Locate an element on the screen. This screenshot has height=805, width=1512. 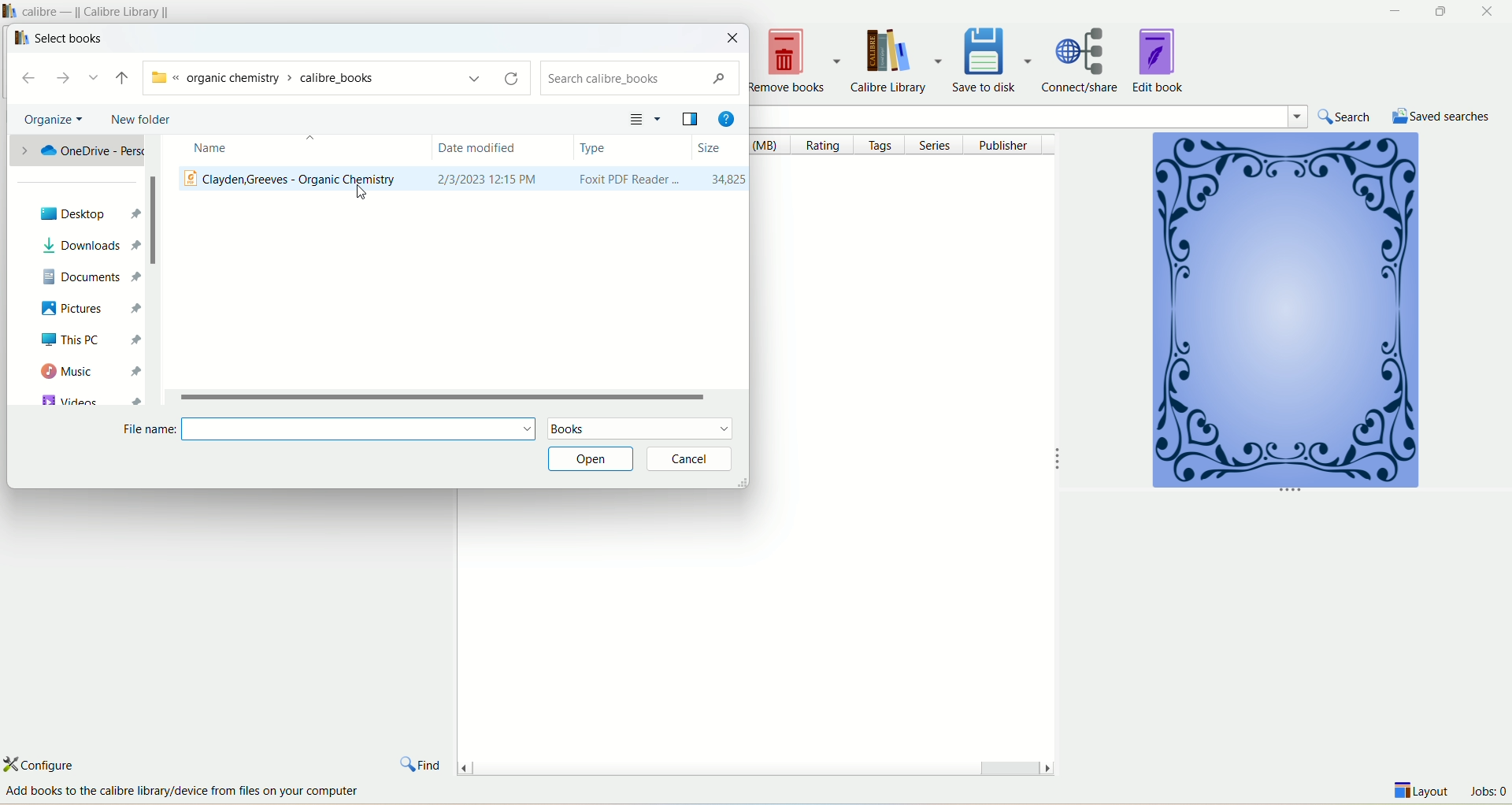
pictures is located at coordinates (81, 308).